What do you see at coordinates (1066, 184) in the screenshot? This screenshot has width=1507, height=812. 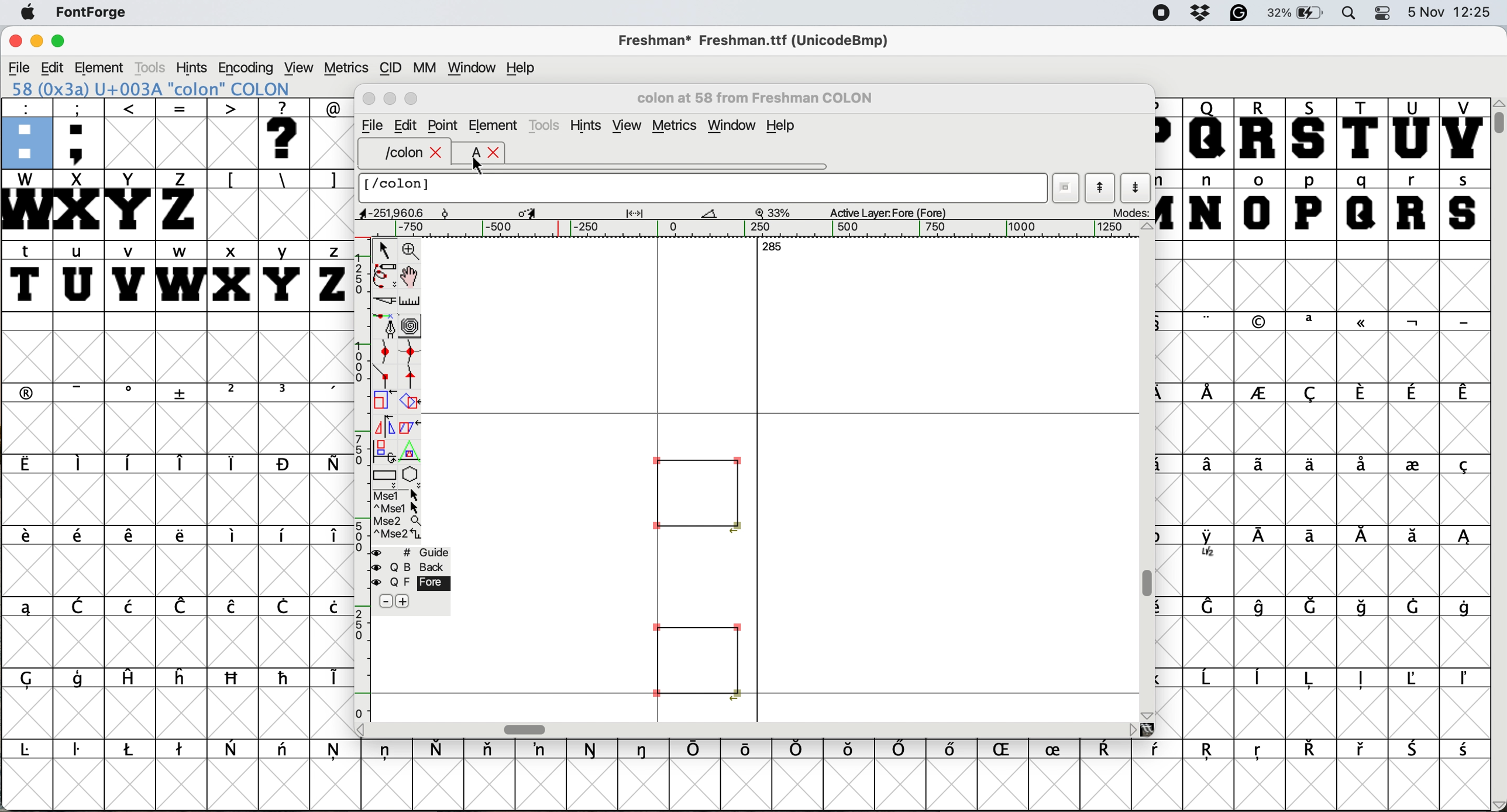 I see `current word list` at bounding box center [1066, 184].